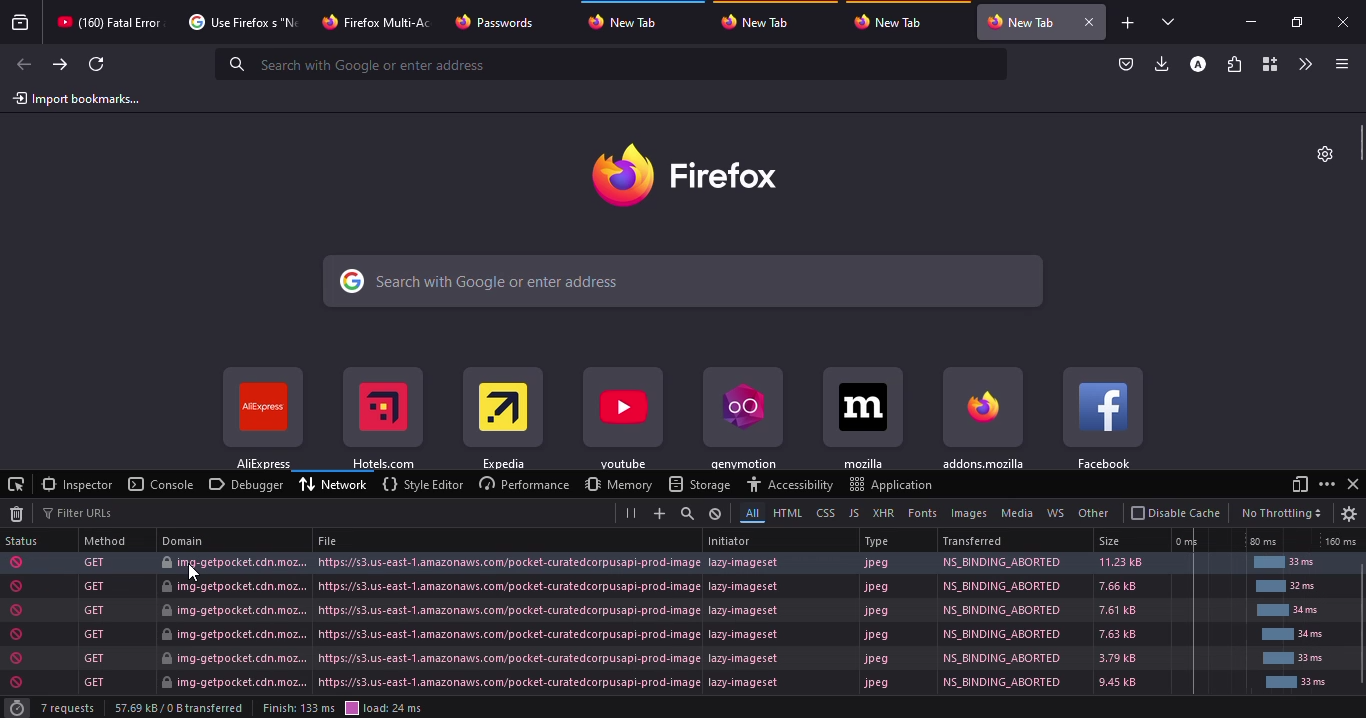 This screenshot has height=718, width=1366. What do you see at coordinates (893, 22) in the screenshot?
I see `tab` at bounding box center [893, 22].